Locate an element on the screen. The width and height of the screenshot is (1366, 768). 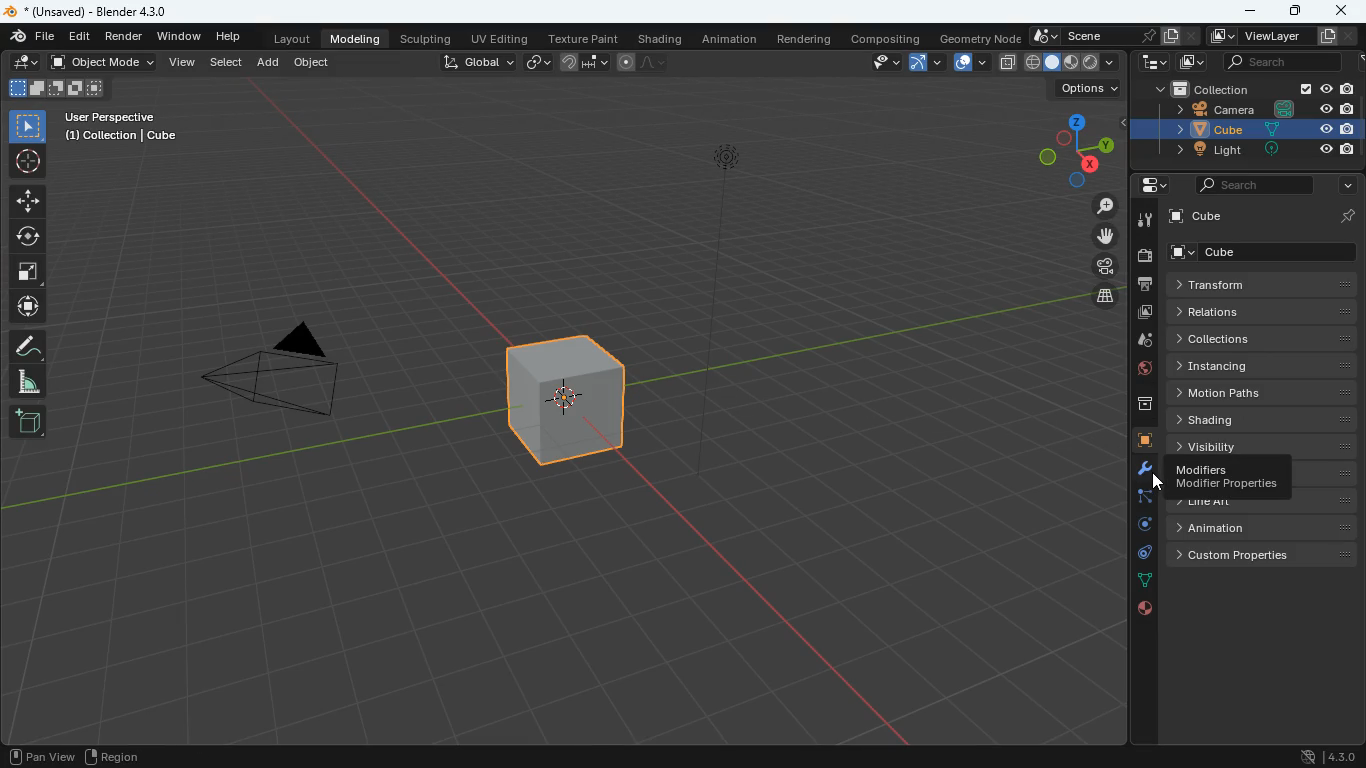
cursor is located at coordinates (1165, 488).